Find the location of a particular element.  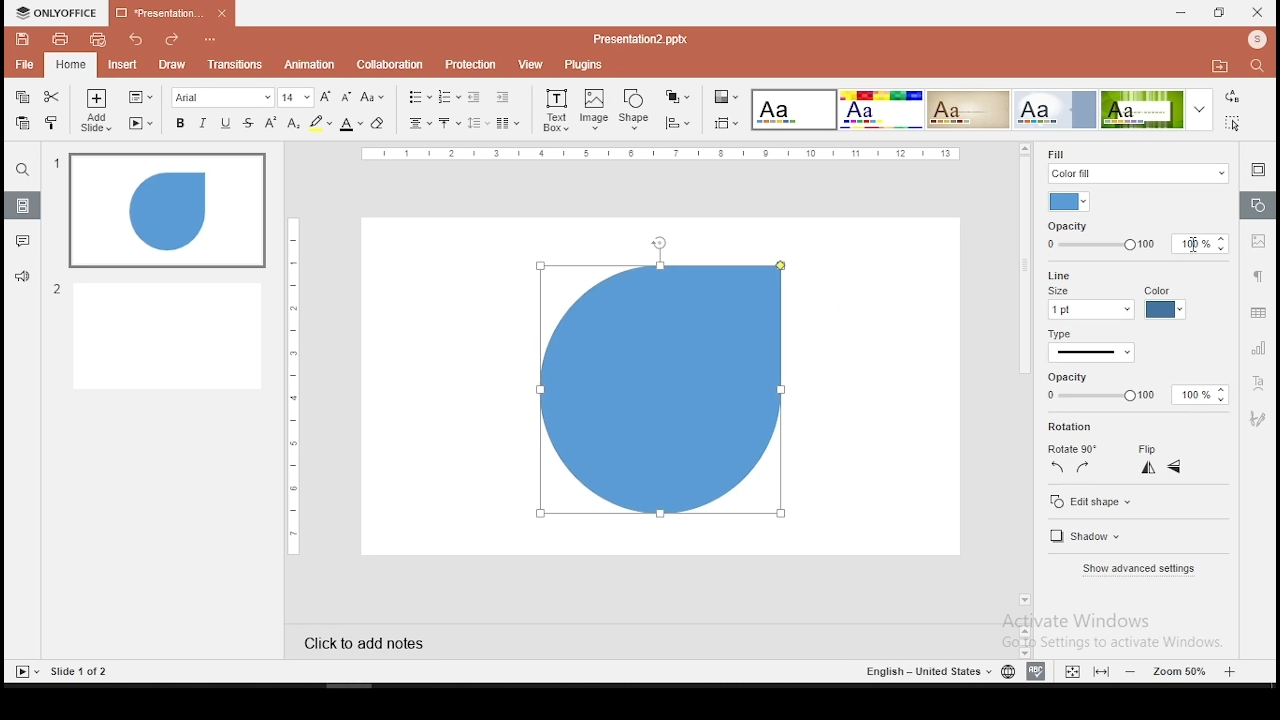

slides is located at coordinates (22, 206).